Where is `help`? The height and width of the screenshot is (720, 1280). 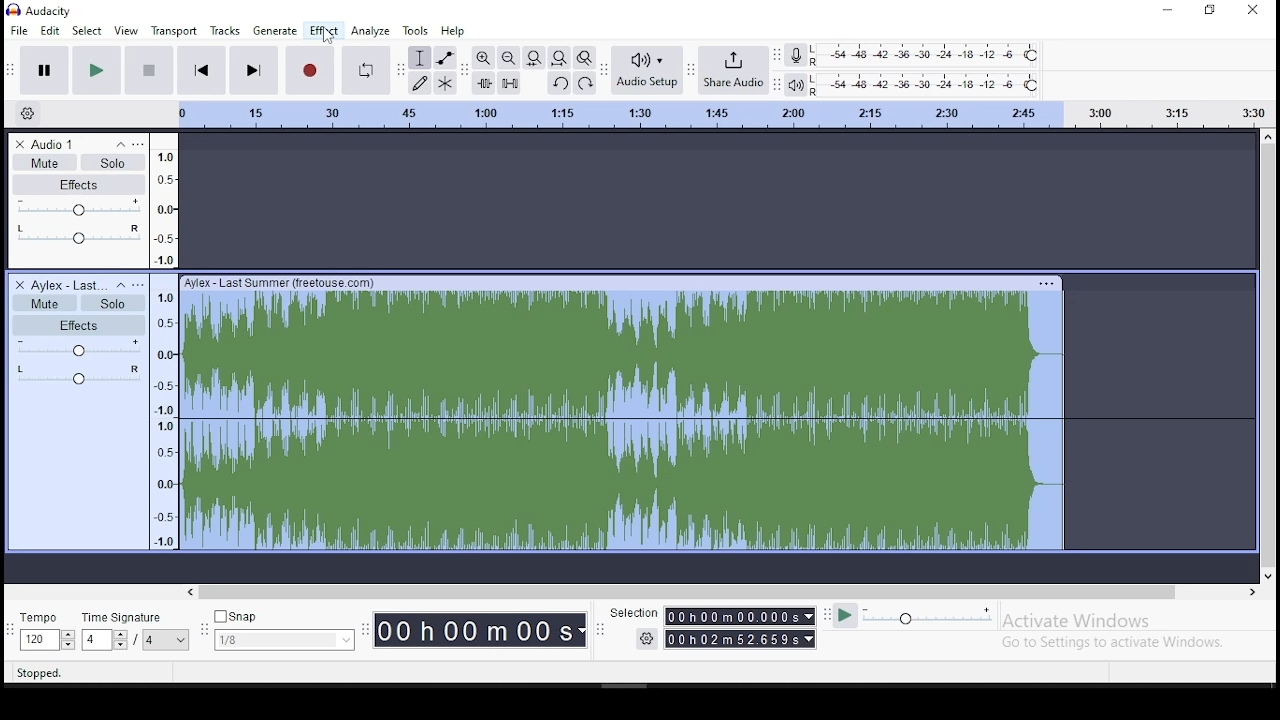 help is located at coordinates (453, 32).